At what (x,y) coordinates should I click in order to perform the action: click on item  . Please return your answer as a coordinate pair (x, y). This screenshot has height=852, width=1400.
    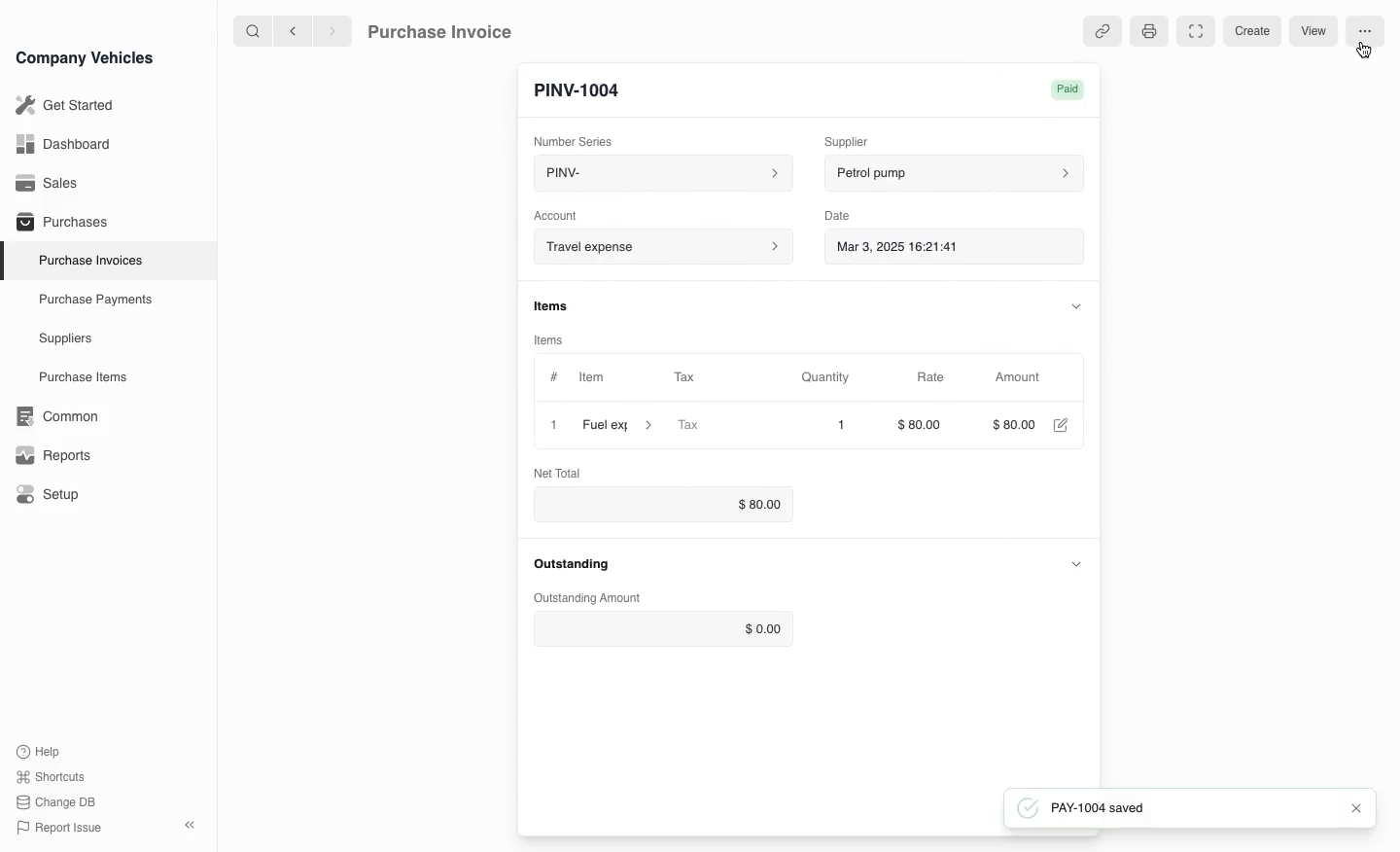
    Looking at the image, I should click on (614, 425).